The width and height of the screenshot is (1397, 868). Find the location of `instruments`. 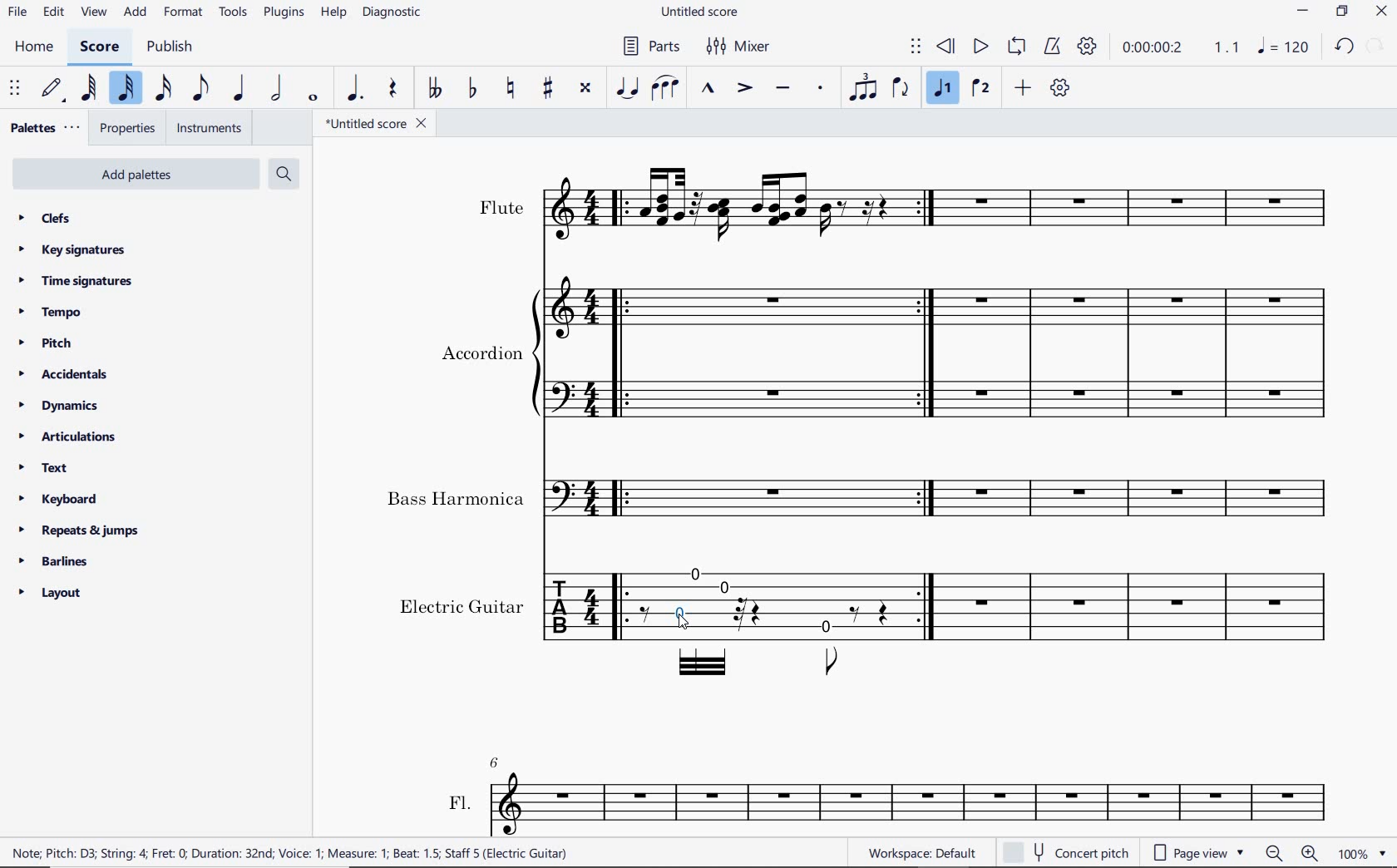

instruments is located at coordinates (208, 131).